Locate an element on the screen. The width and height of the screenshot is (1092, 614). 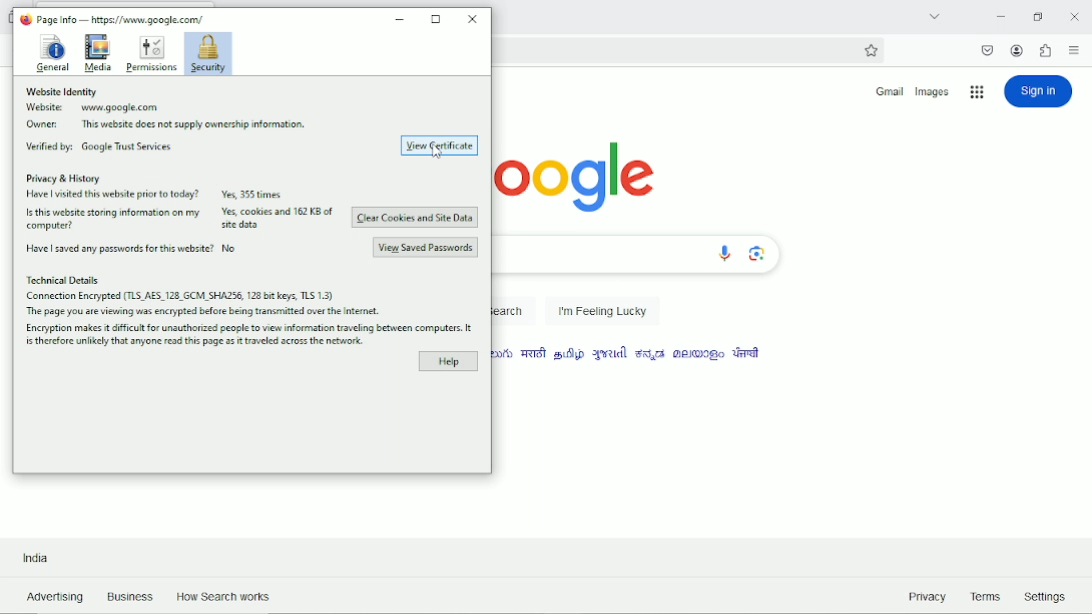
View saved passwords is located at coordinates (425, 246).